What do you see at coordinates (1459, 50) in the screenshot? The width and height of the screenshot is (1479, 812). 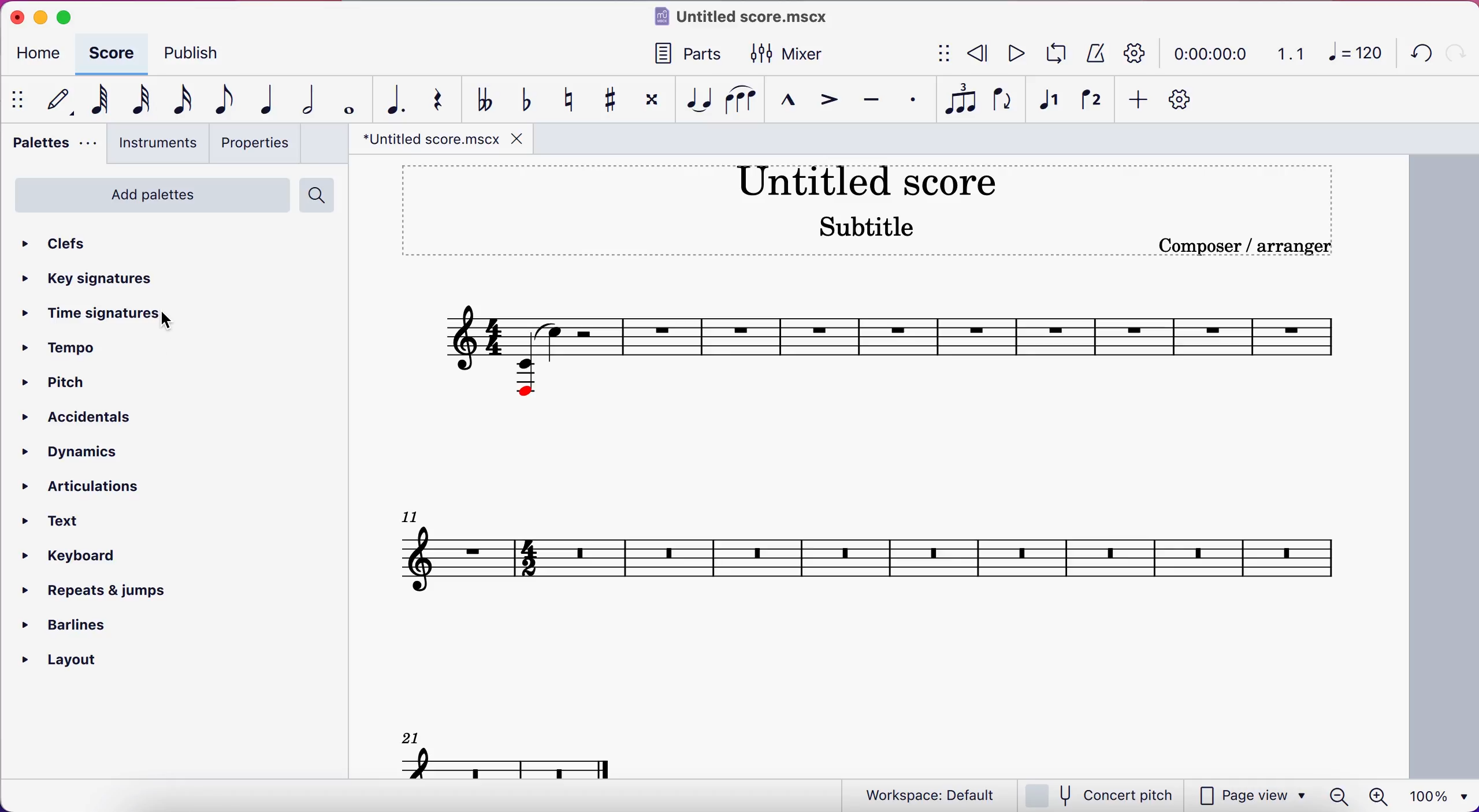 I see `redo` at bounding box center [1459, 50].